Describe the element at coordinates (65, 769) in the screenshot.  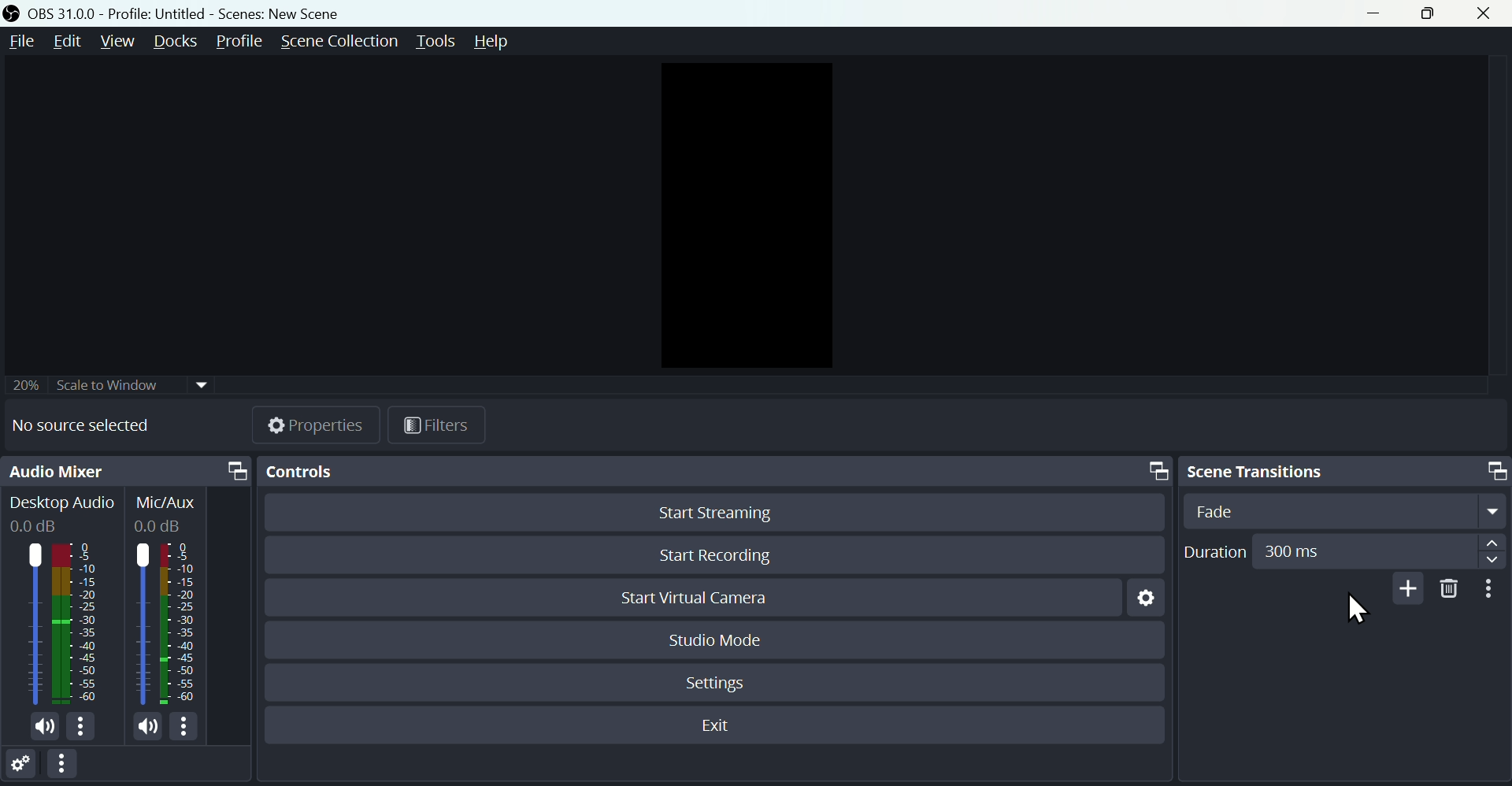
I see `More options` at that location.